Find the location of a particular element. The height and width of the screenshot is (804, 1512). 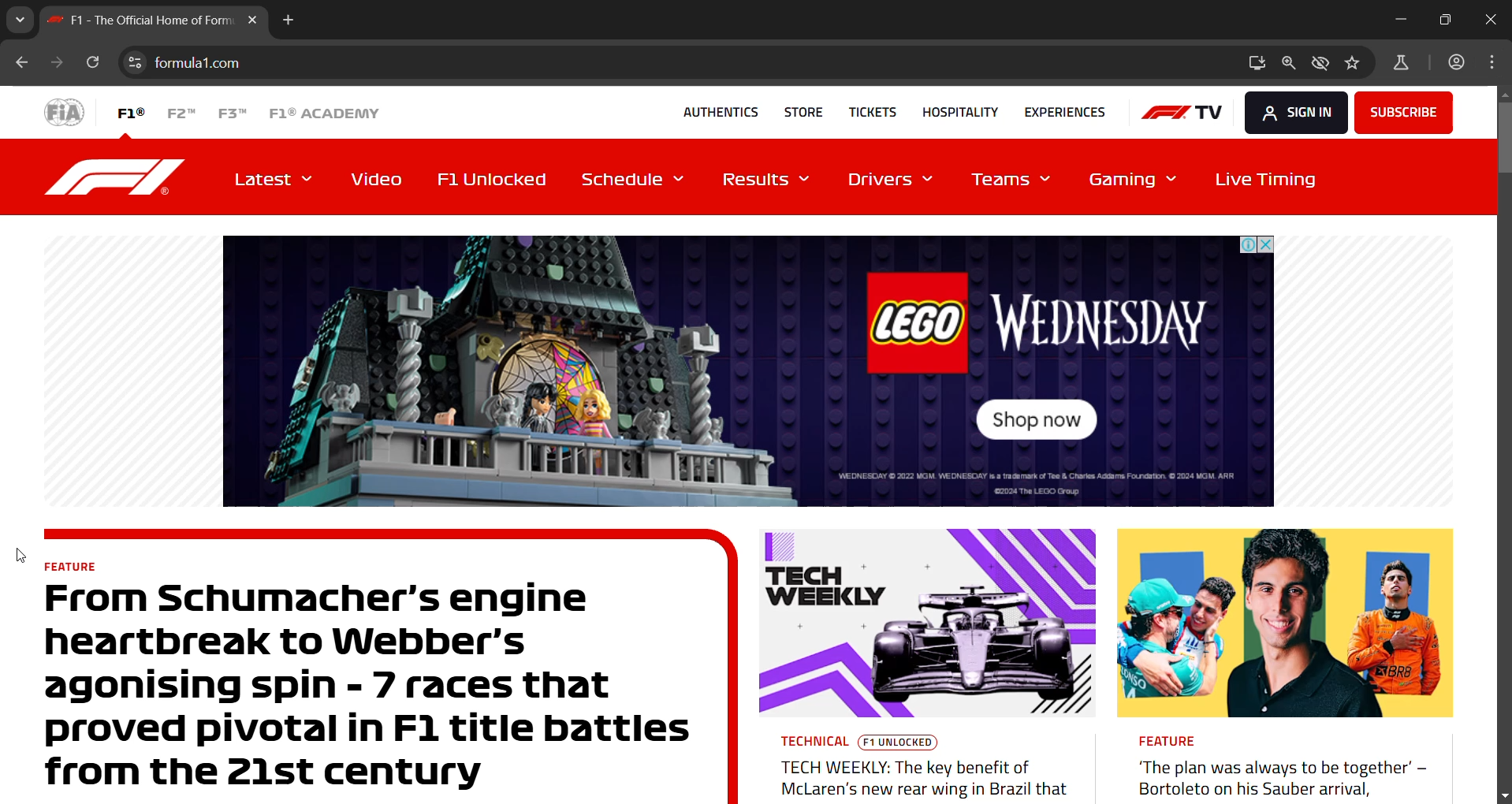

F1® ACADEMY is located at coordinates (322, 114).